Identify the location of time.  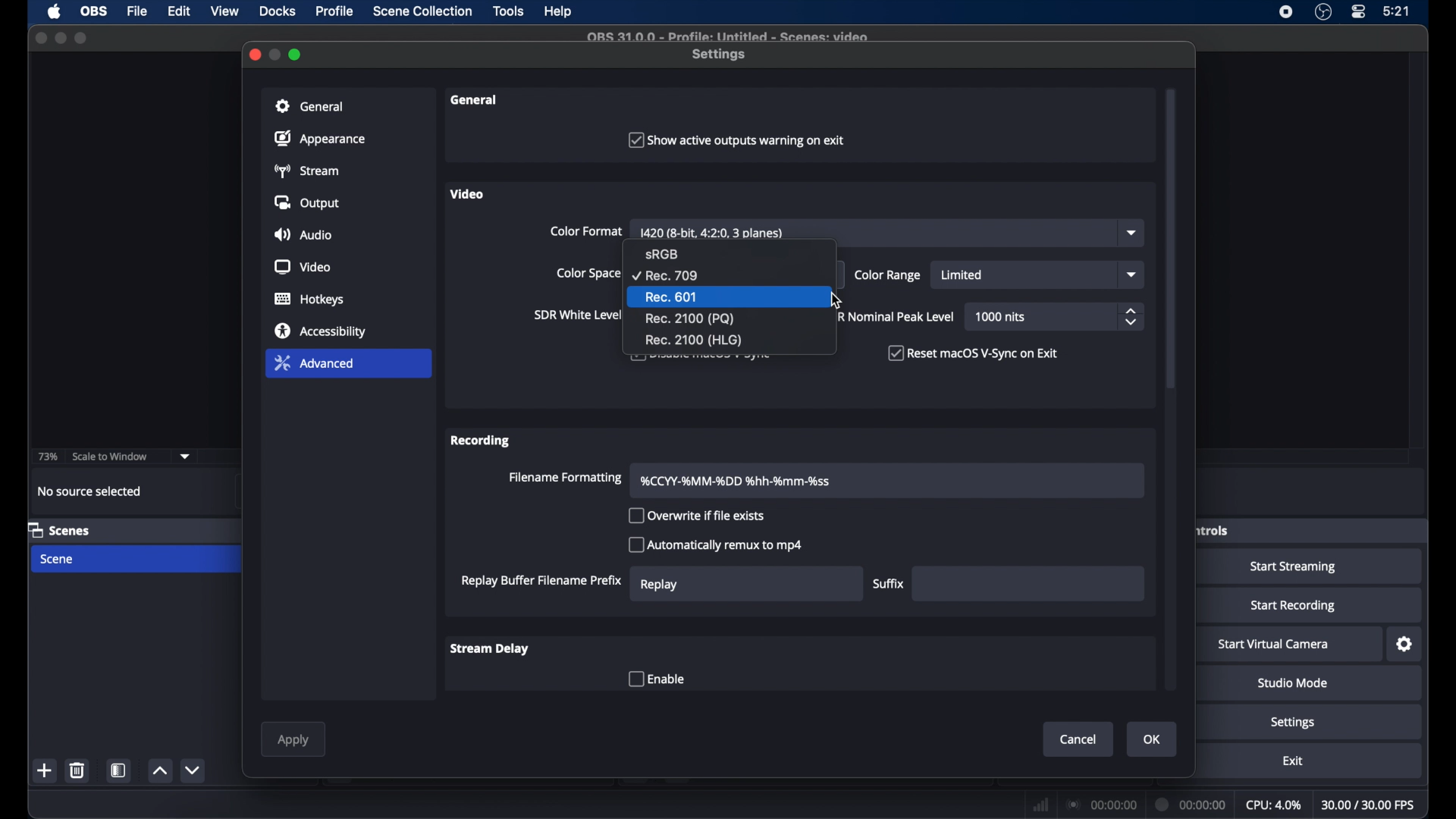
(1398, 11).